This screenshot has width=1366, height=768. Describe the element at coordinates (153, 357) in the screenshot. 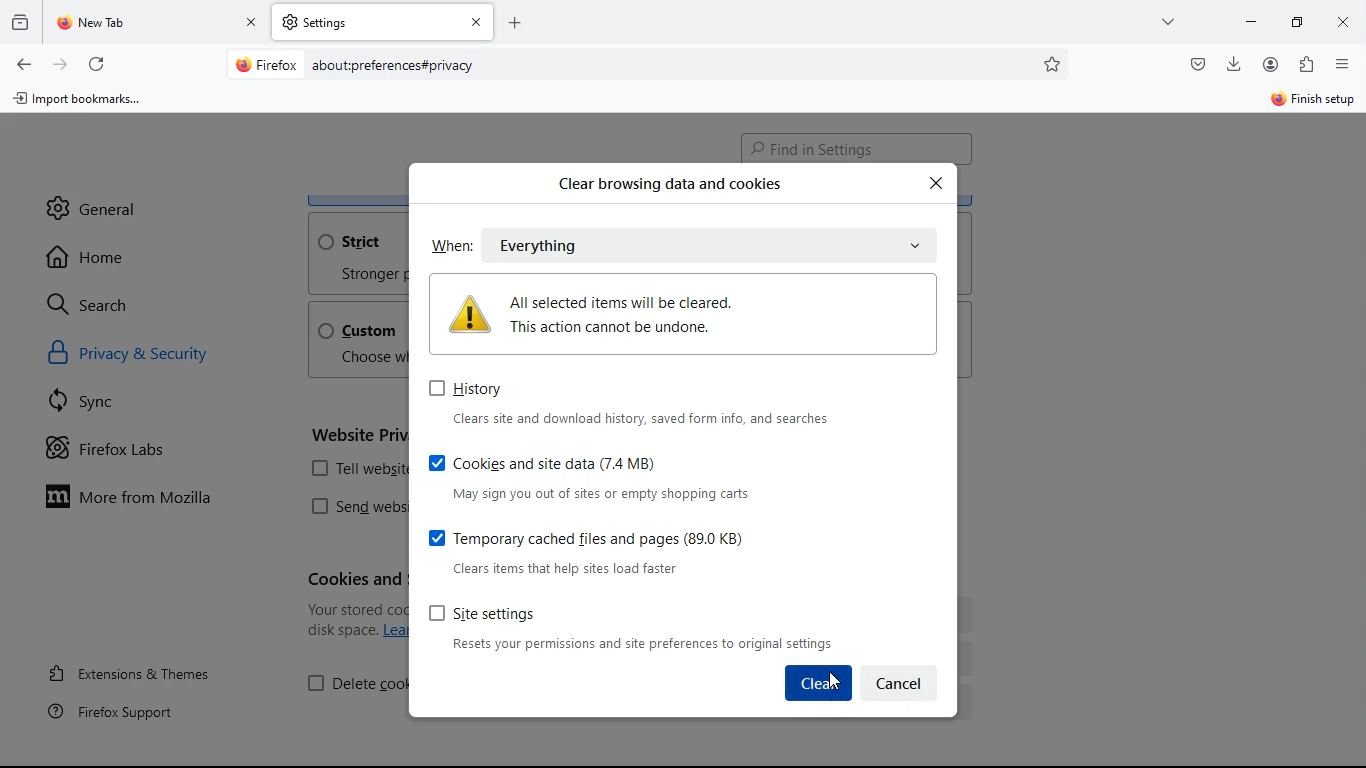

I see `privacy & security` at that location.